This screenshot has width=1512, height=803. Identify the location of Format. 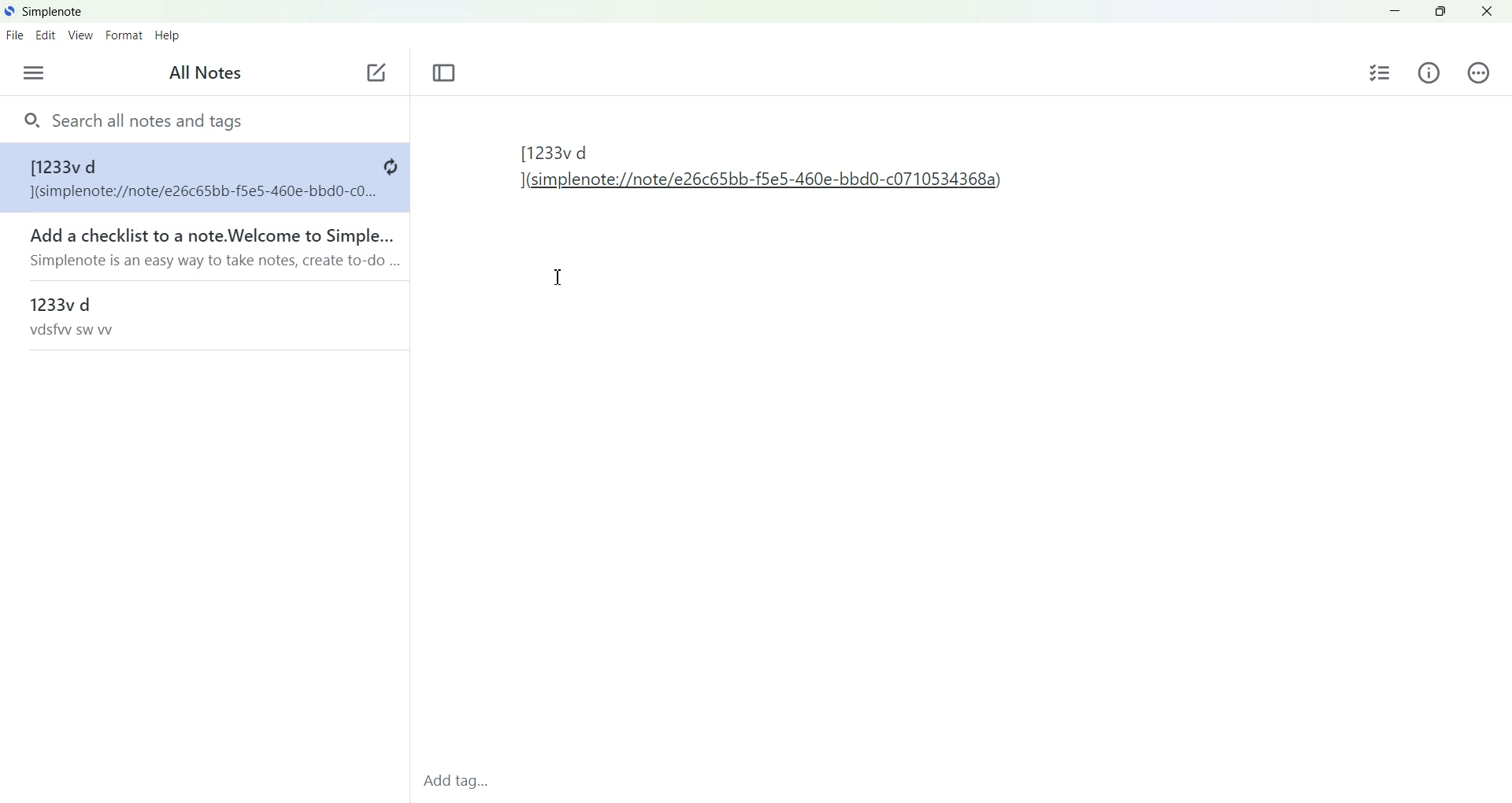
(123, 36).